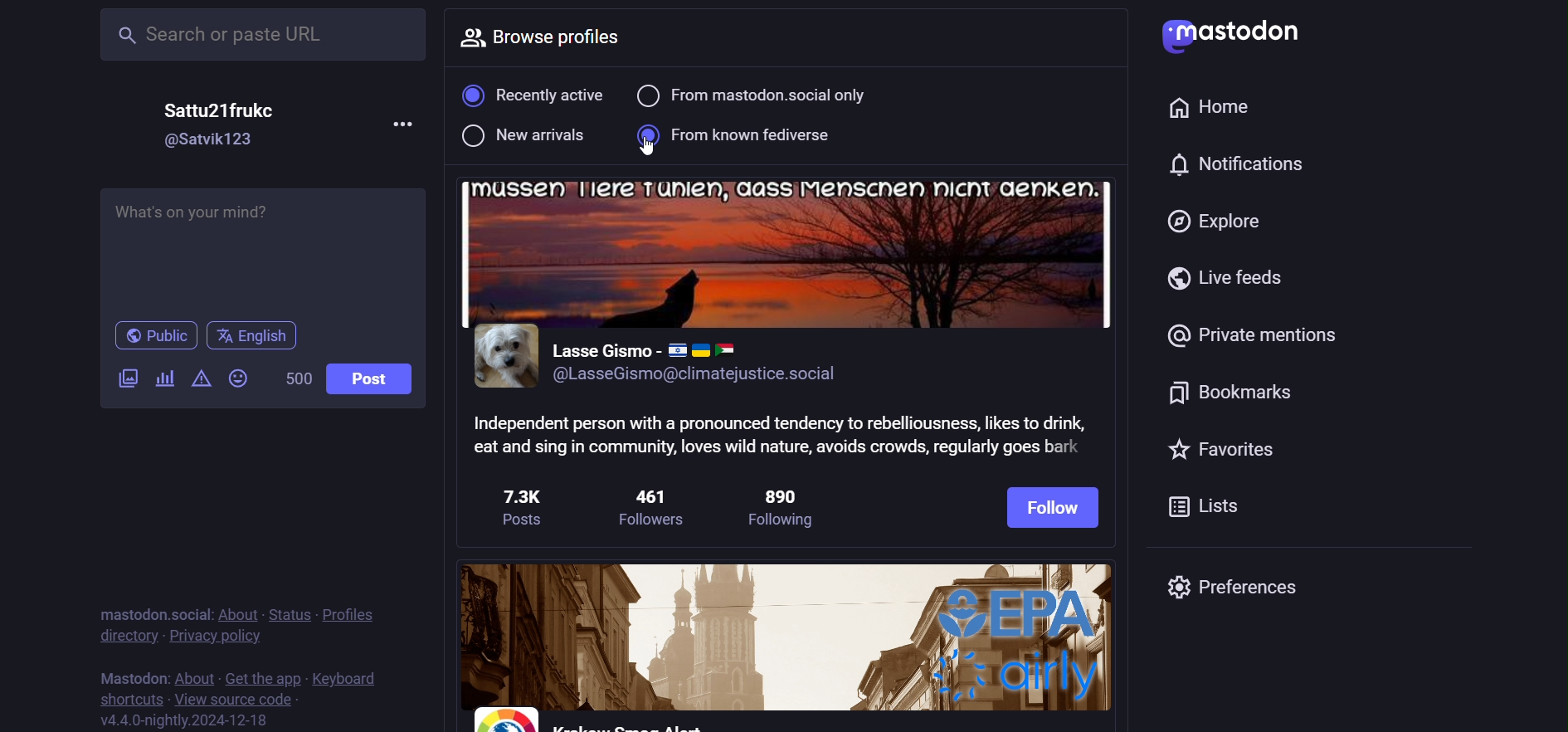 Image resolution: width=1568 pixels, height=732 pixels. What do you see at coordinates (1250, 338) in the screenshot?
I see `private mention` at bounding box center [1250, 338].